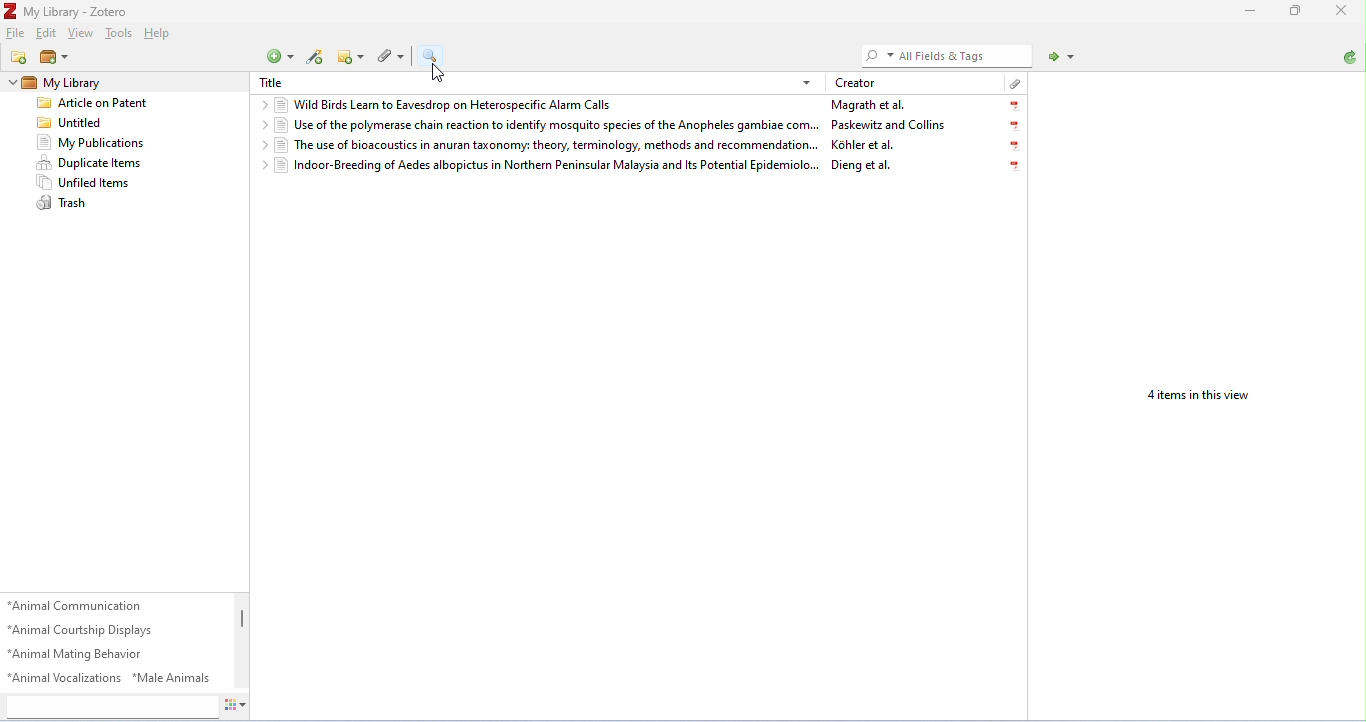 Image resolution: width=1366 pixels, height=722 pixels. I want to click on Köhler et al., so click(861, 145).